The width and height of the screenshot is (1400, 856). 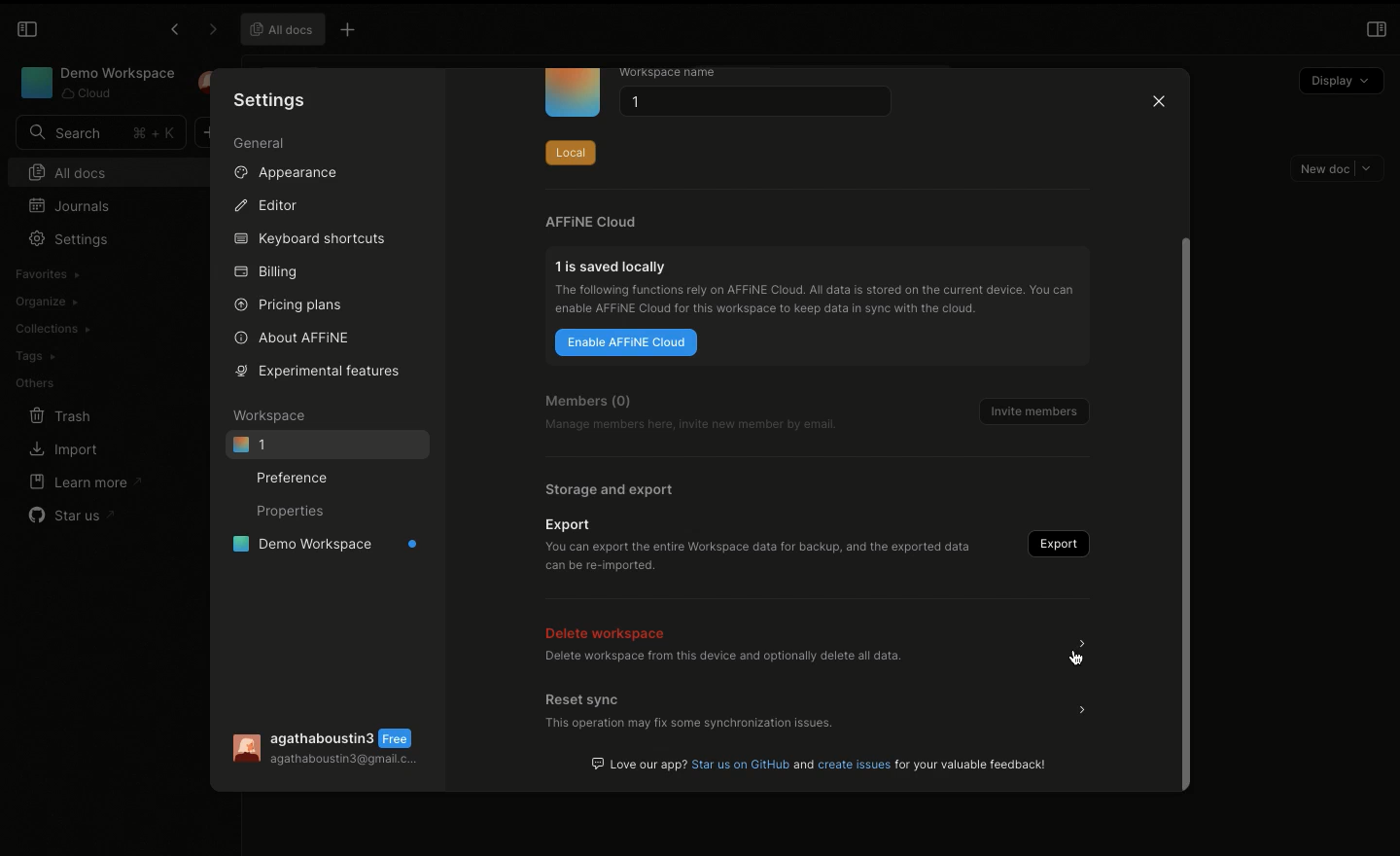 I want to click on Open right panel, so click(x=1376, y=29).